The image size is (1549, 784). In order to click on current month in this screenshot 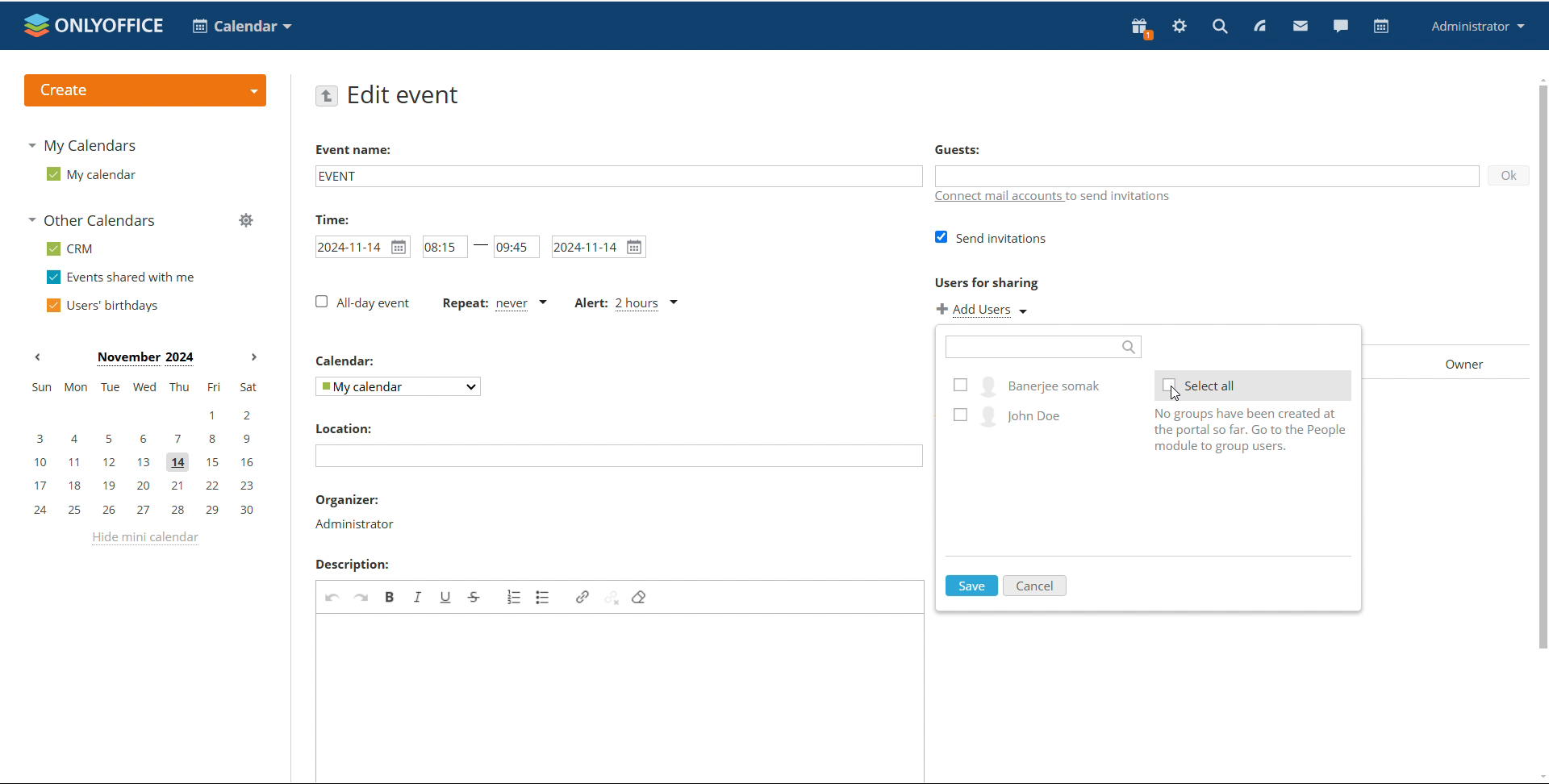, I will do `click(144, 359)`.